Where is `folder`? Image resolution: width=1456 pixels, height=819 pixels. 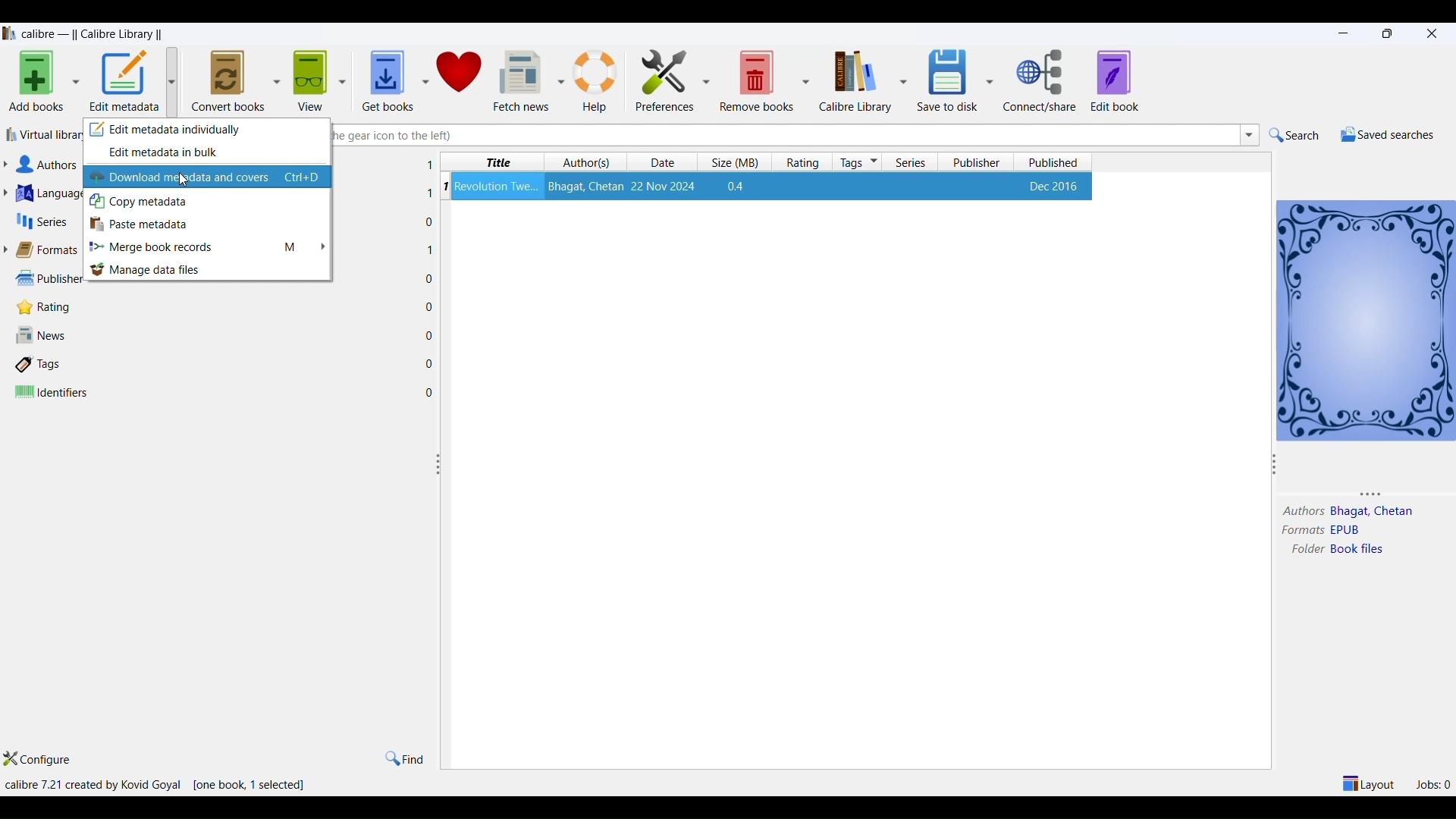 folder is located at coordinates (1305, 550).